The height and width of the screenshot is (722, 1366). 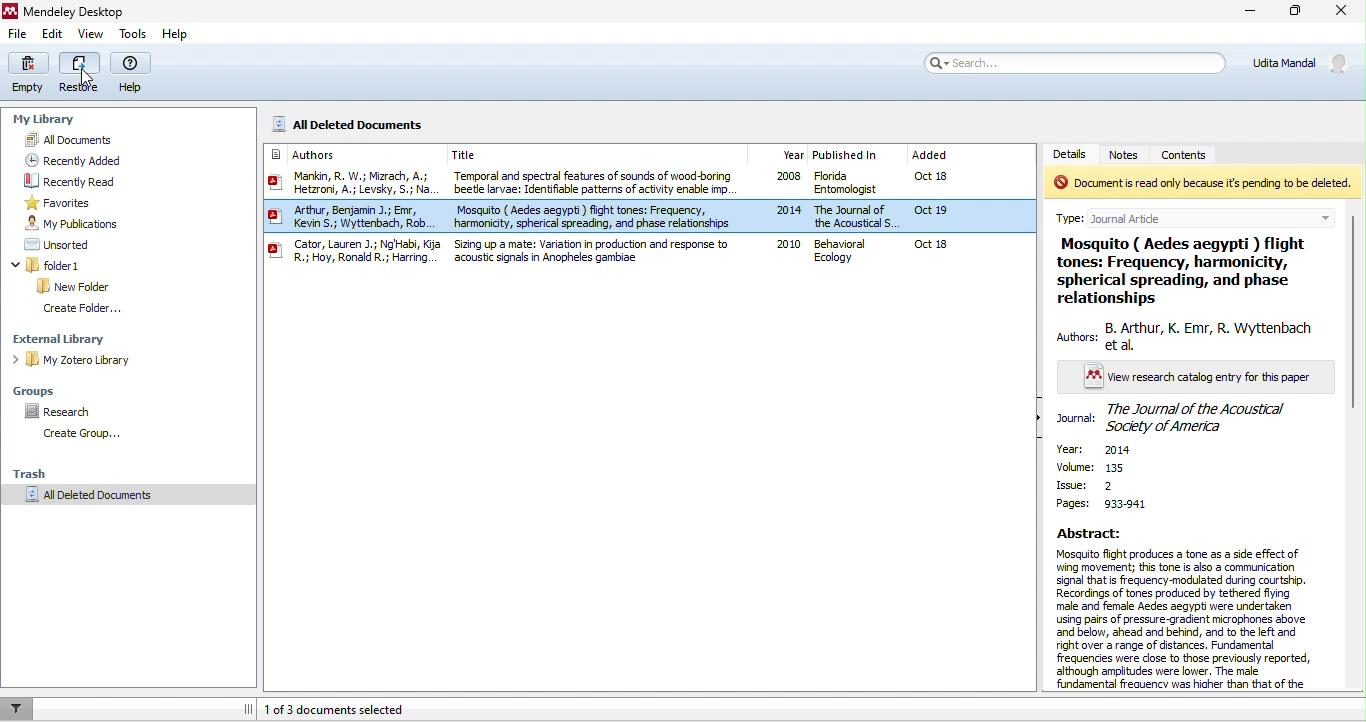 What do you see at coordinates (94, 180) in the screenshot?
I see `recently read` at bounding box center [94, 180].